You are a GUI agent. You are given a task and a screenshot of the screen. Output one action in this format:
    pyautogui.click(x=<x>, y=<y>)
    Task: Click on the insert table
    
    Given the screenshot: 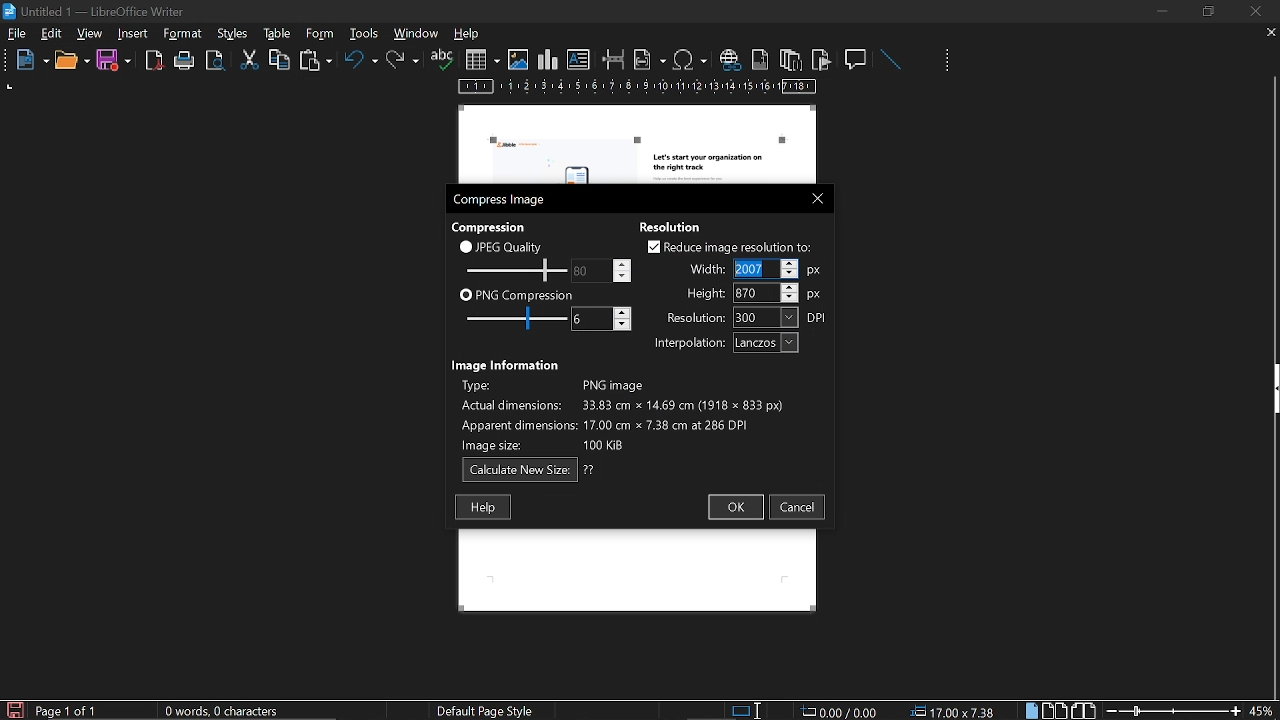 What is the action you would take?
    pyautogui.click(x=482, y=60)
    